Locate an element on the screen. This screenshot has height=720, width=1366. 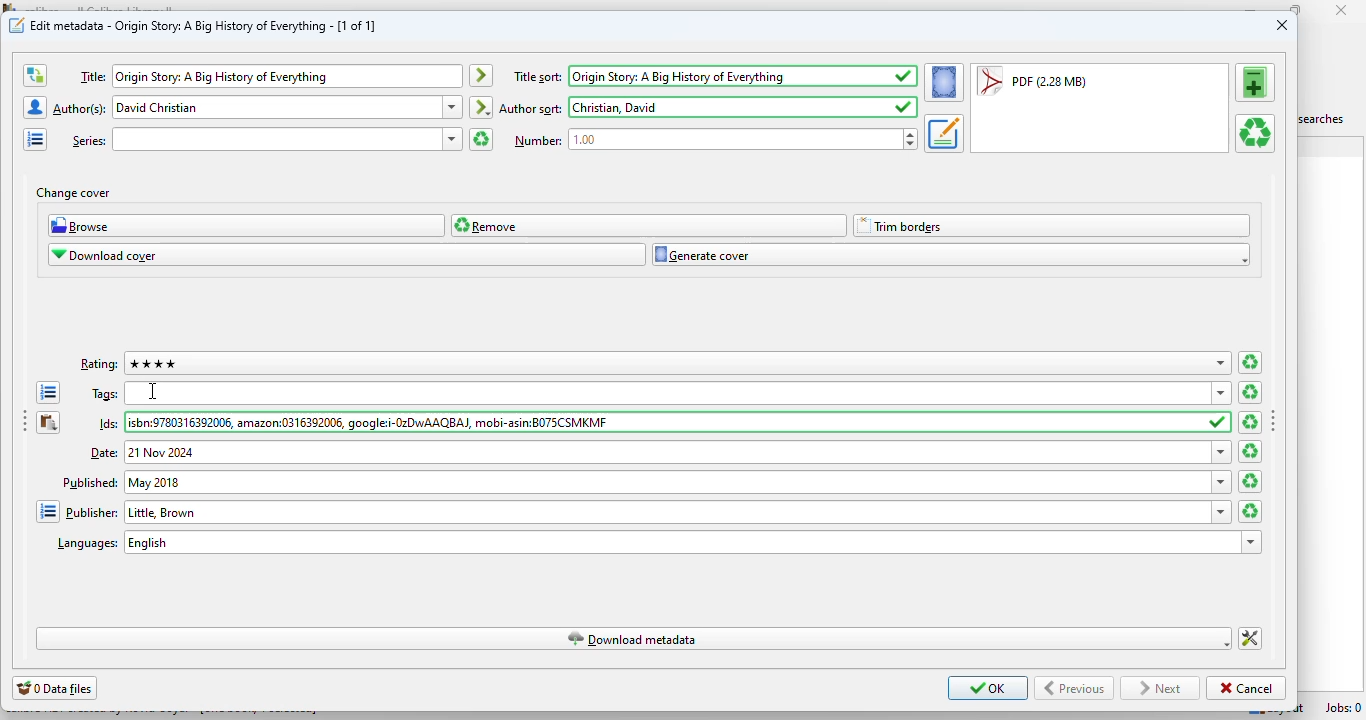
automatically create the title sort entry based on the current title entry is located at coordinates (481, 76).